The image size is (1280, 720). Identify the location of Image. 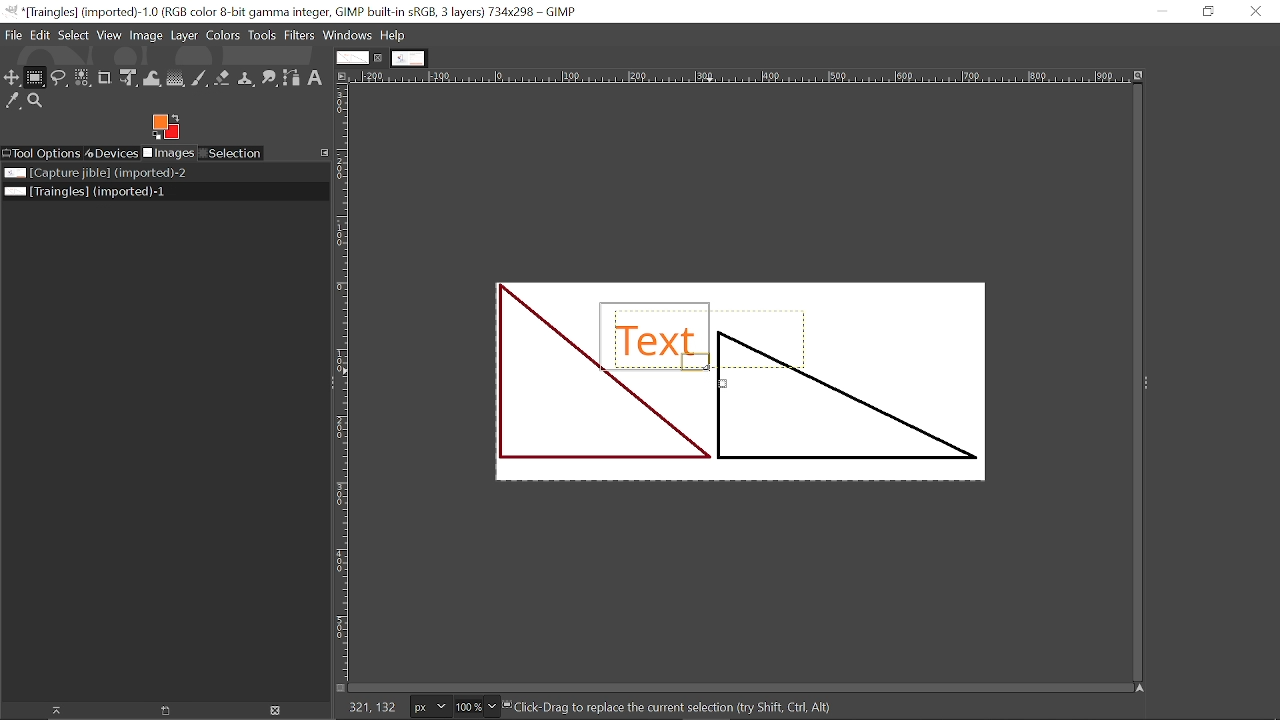
(146, 36).